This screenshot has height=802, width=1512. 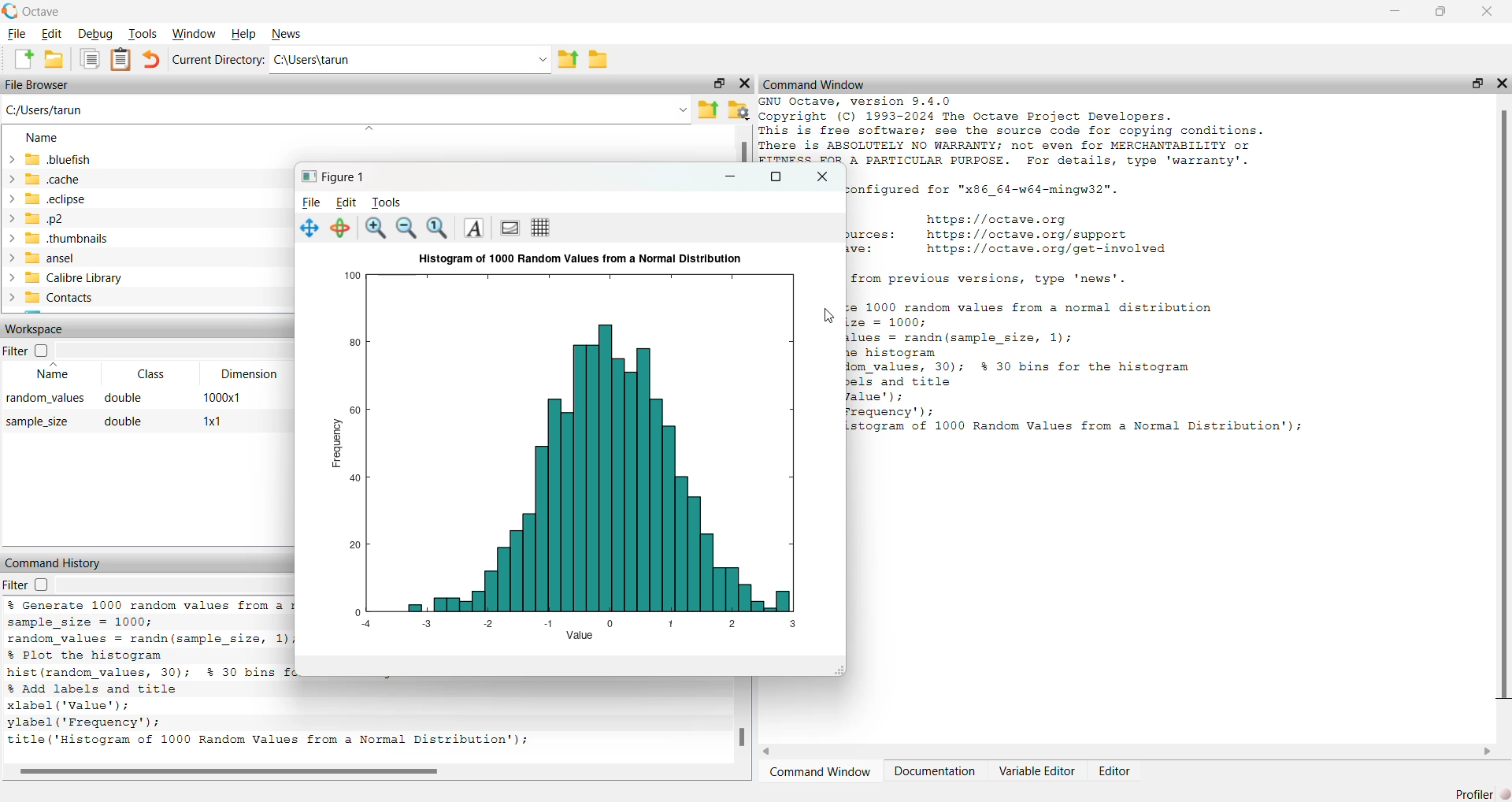 What do you see at coordinates (151, 58) in the screenshot?
I see `undo` at bounding box center [151, 58].